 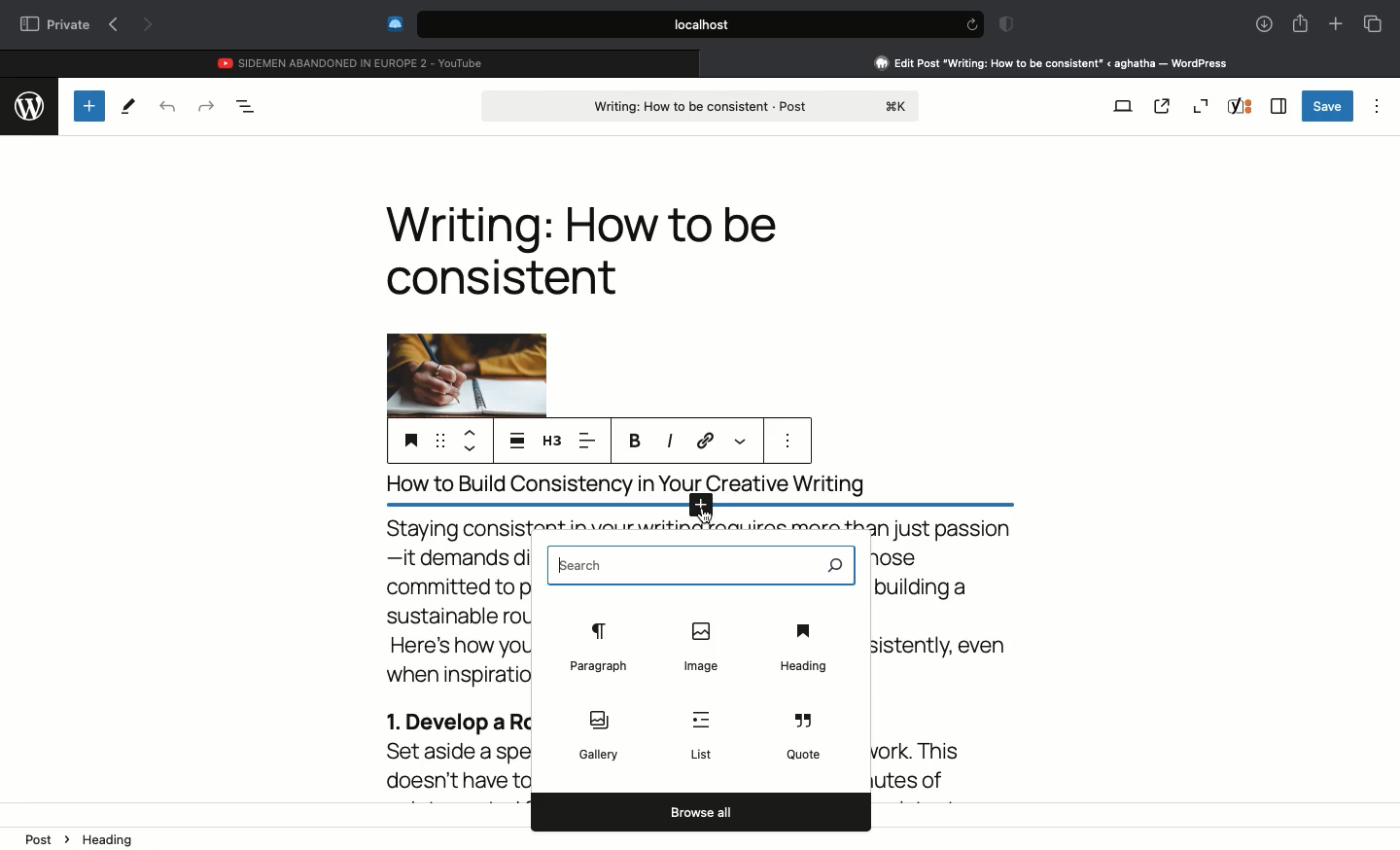 What do you see at coordinates (1162, 105) in the screenshot?
I see `View post` at bounding box center [1162, 105].